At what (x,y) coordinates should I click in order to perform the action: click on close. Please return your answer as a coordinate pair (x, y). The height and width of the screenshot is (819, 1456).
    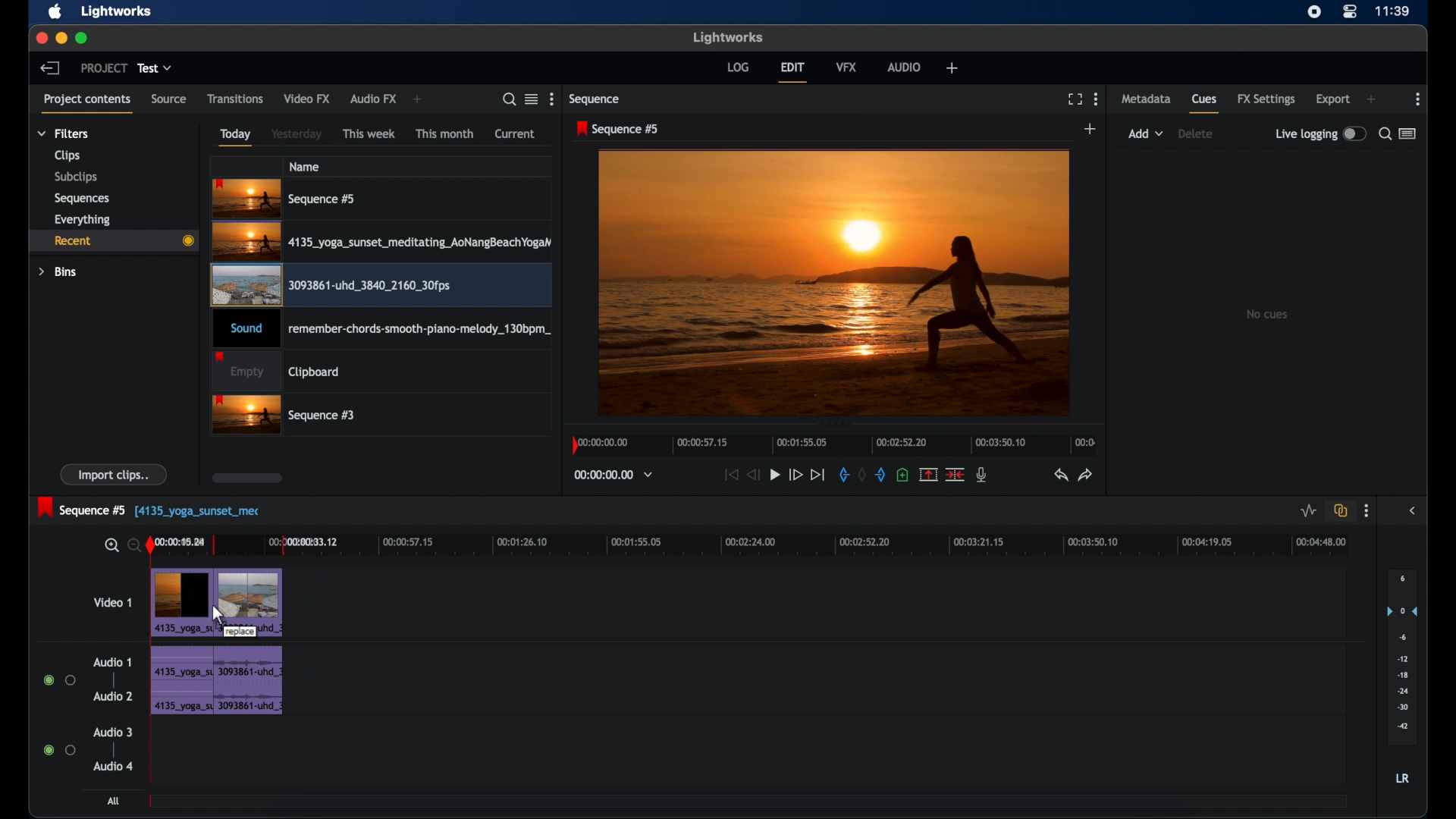
    Looking at the image, I should click on (41, 38).